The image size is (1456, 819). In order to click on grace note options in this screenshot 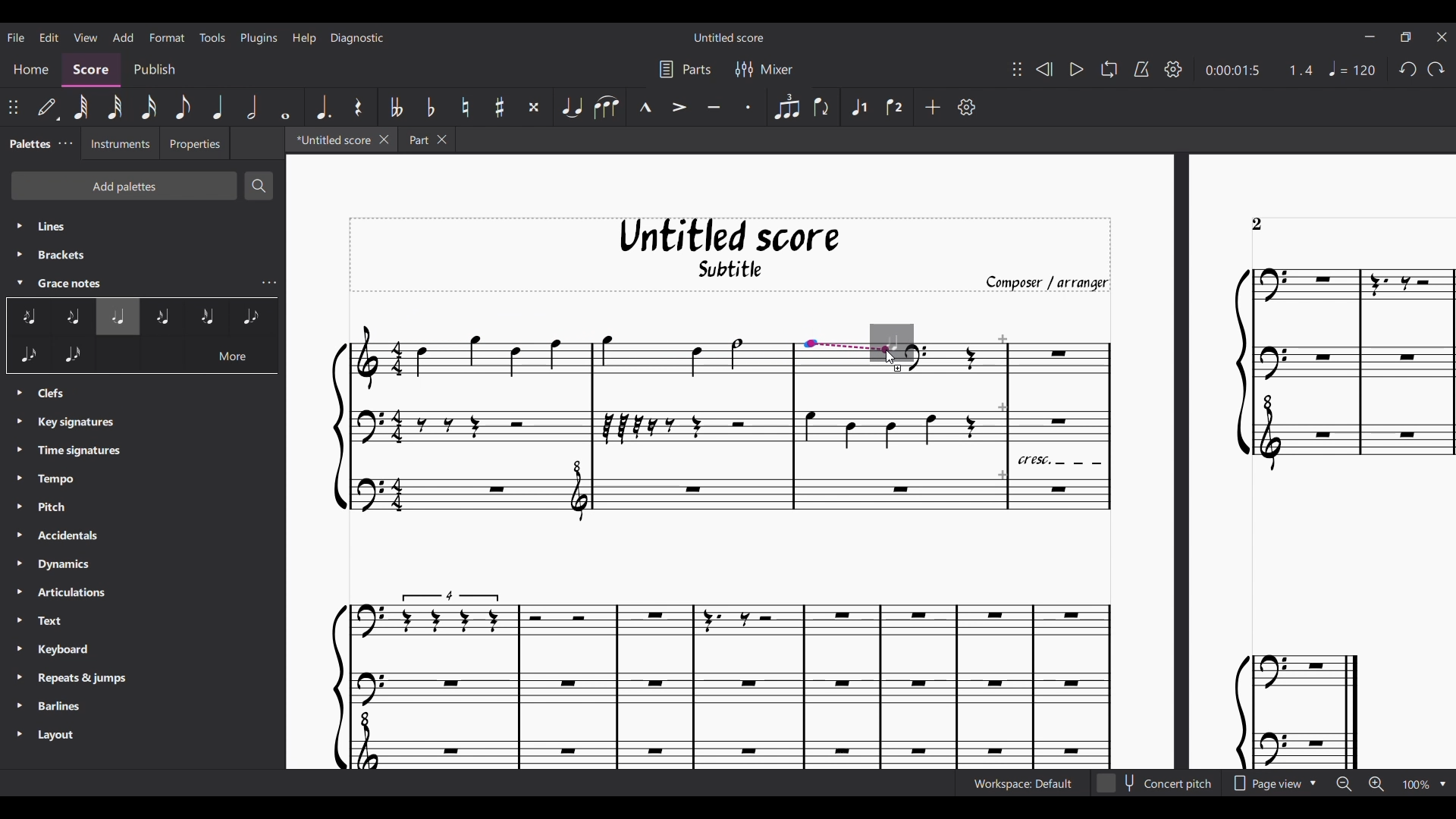, I will do `click(206, 318)`.